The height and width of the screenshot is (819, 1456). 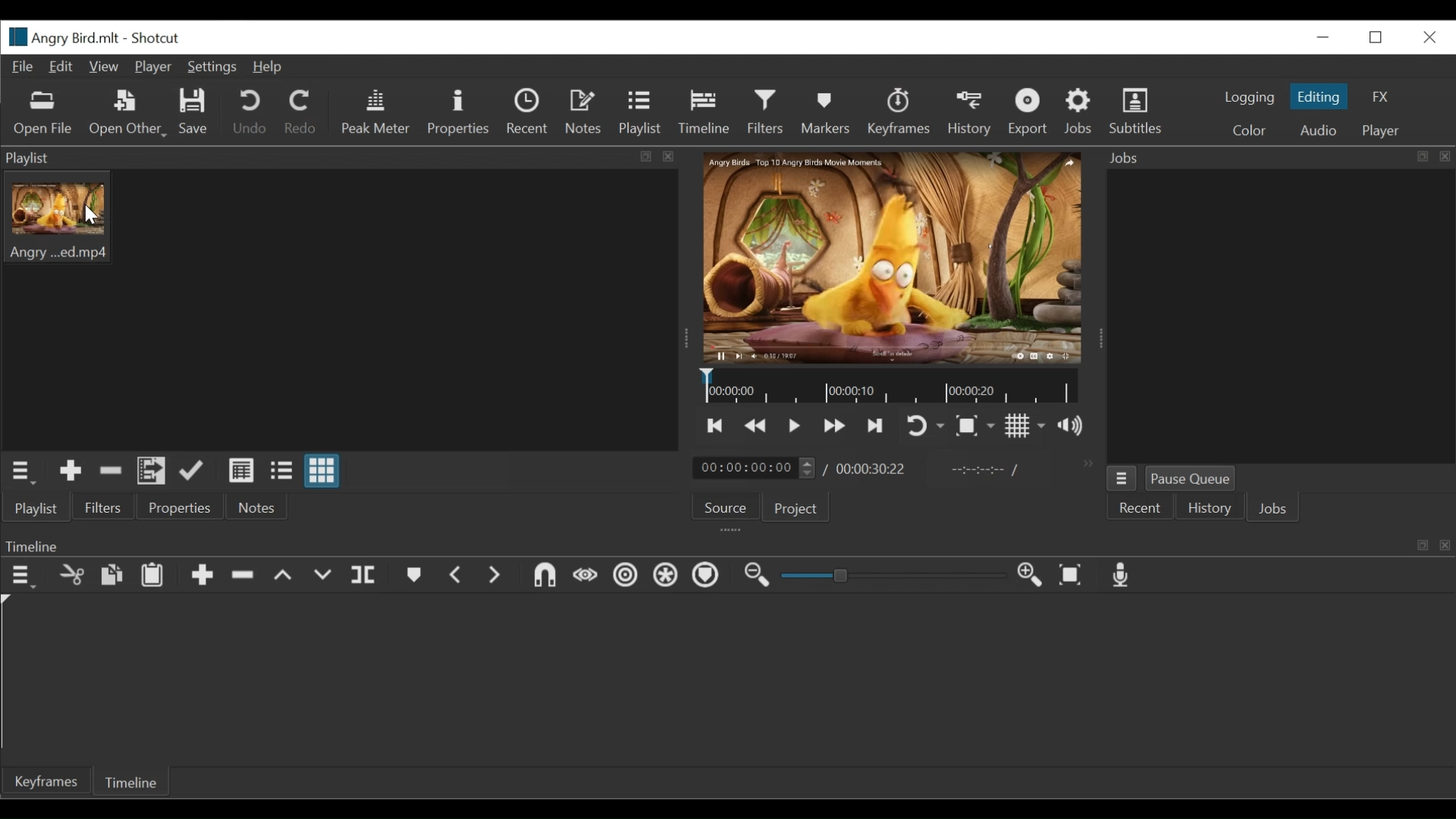 I want to click on View, so click(x=102, y=67).